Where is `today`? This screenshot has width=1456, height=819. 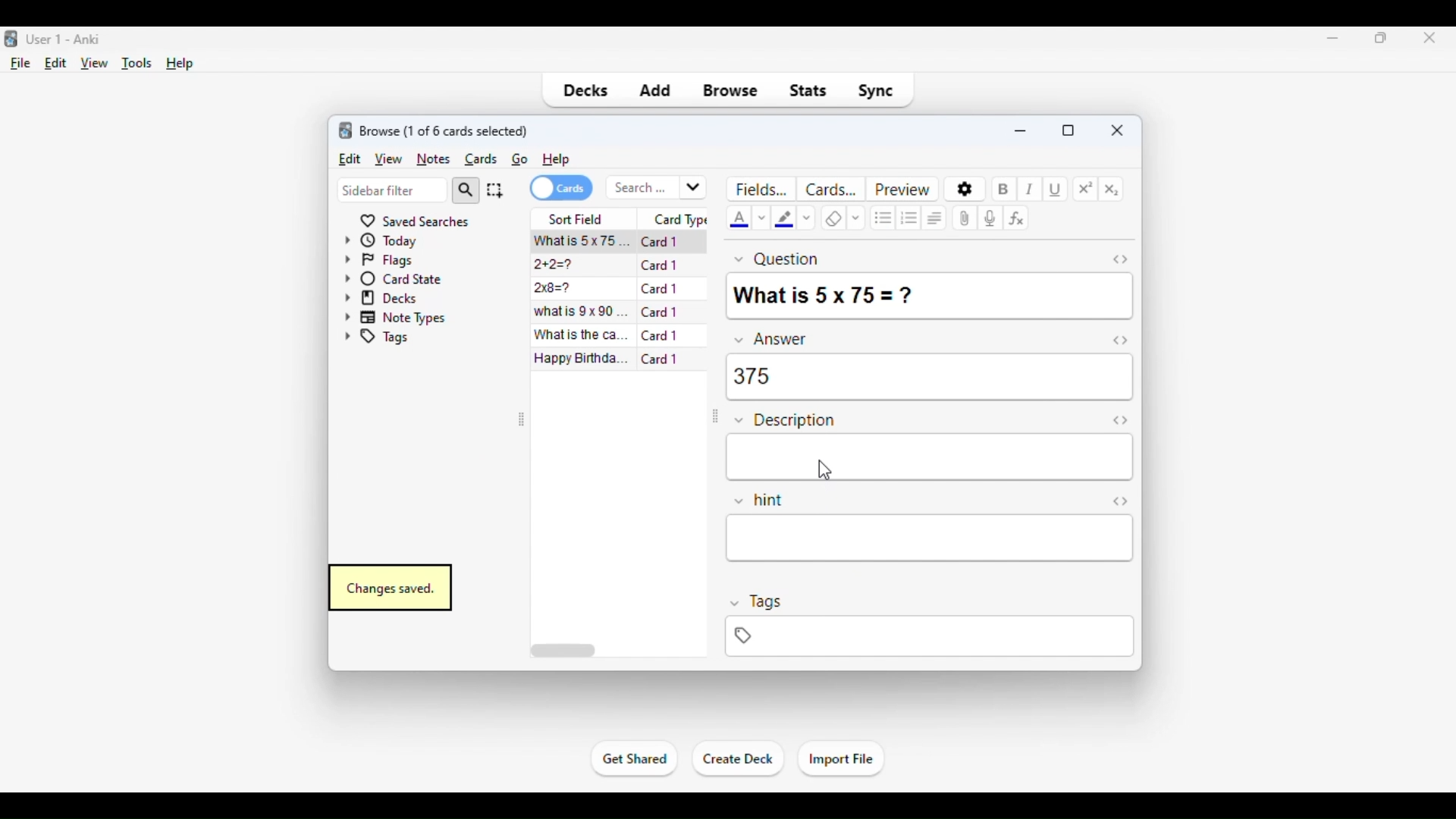 today is located at coordinates (381, 240).